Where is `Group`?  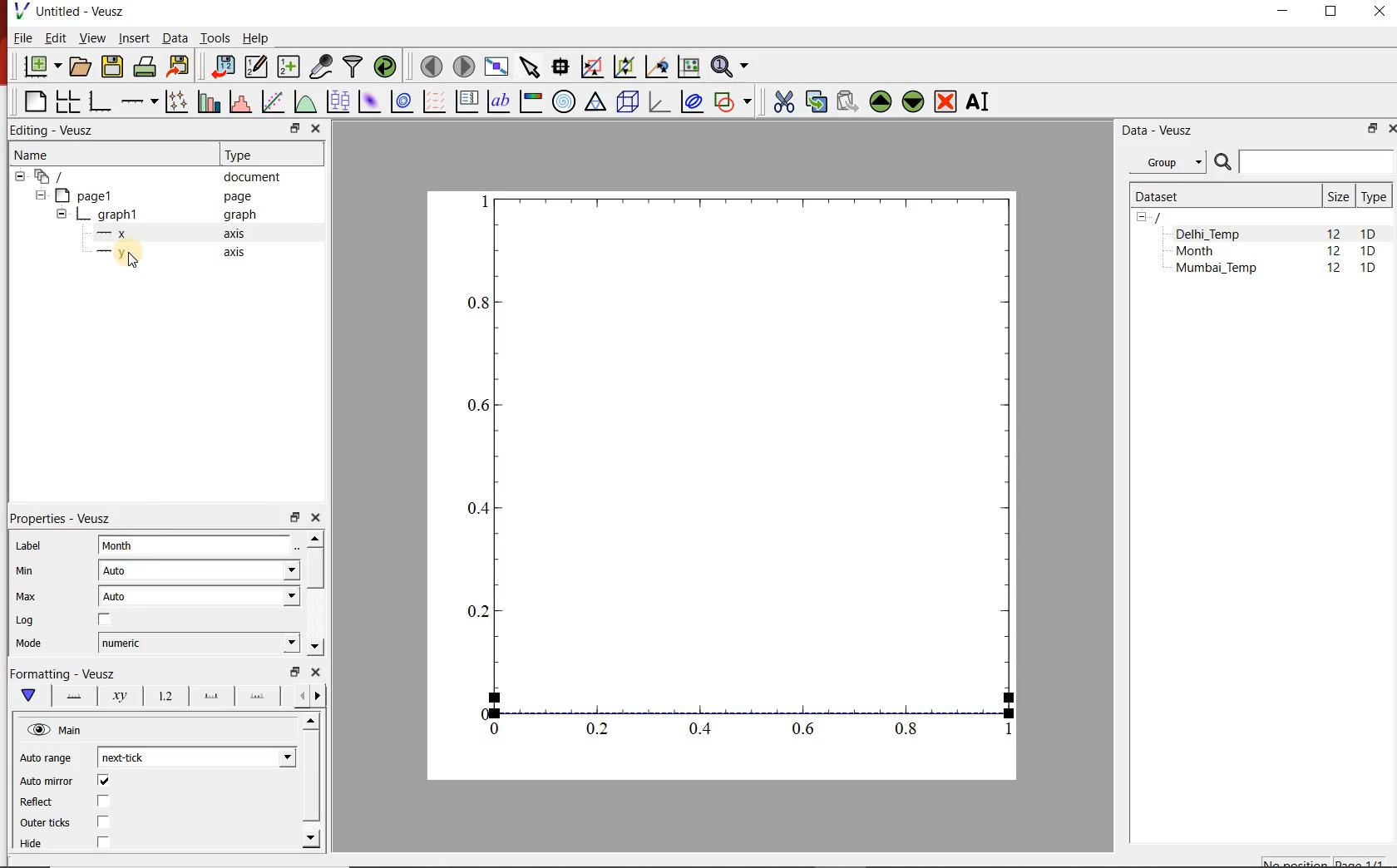 Group is located at coordinates (1167, 160).